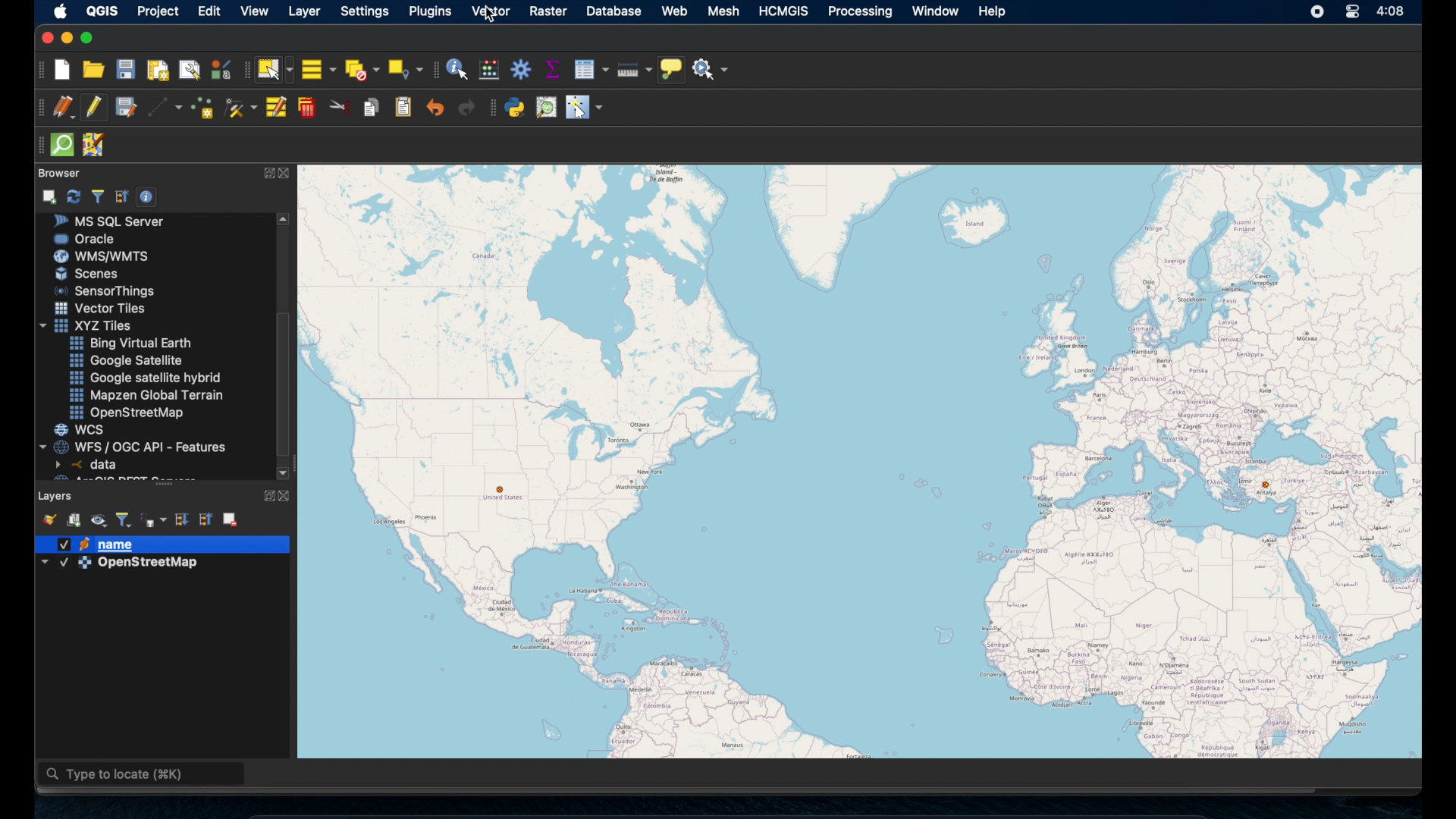  What do you see at coordinates (154, 519) in the screenshot?
I see `filter legend by expression` at bounding box center [154, 519].